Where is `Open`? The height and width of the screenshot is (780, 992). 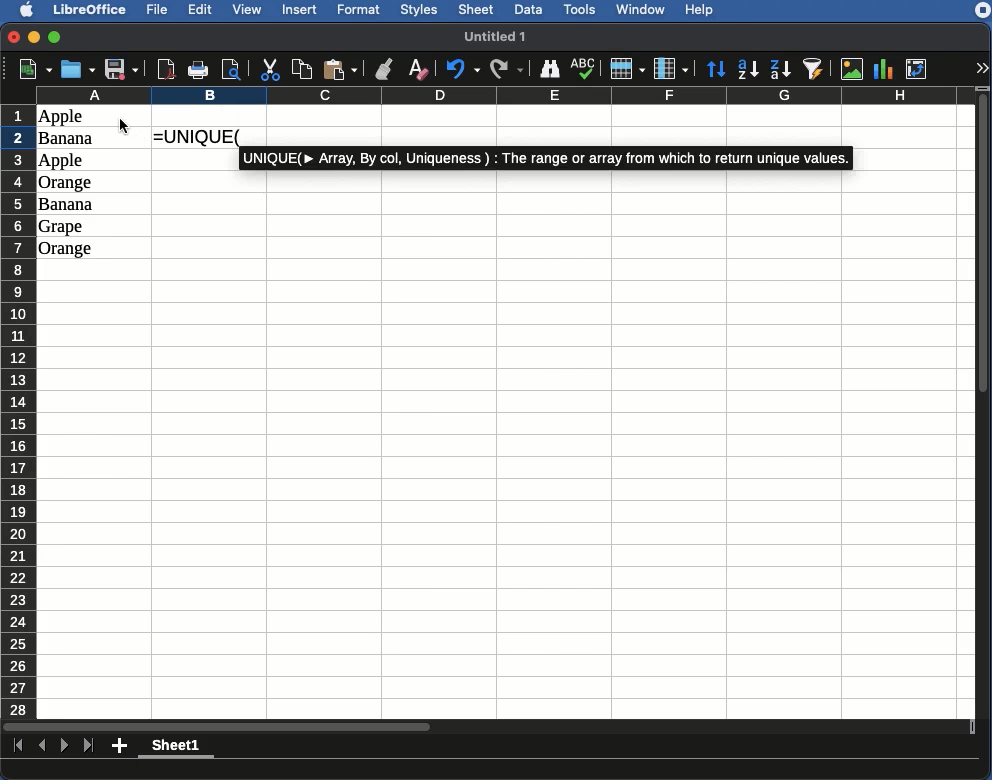 Open is located at coordinates (76, 70).